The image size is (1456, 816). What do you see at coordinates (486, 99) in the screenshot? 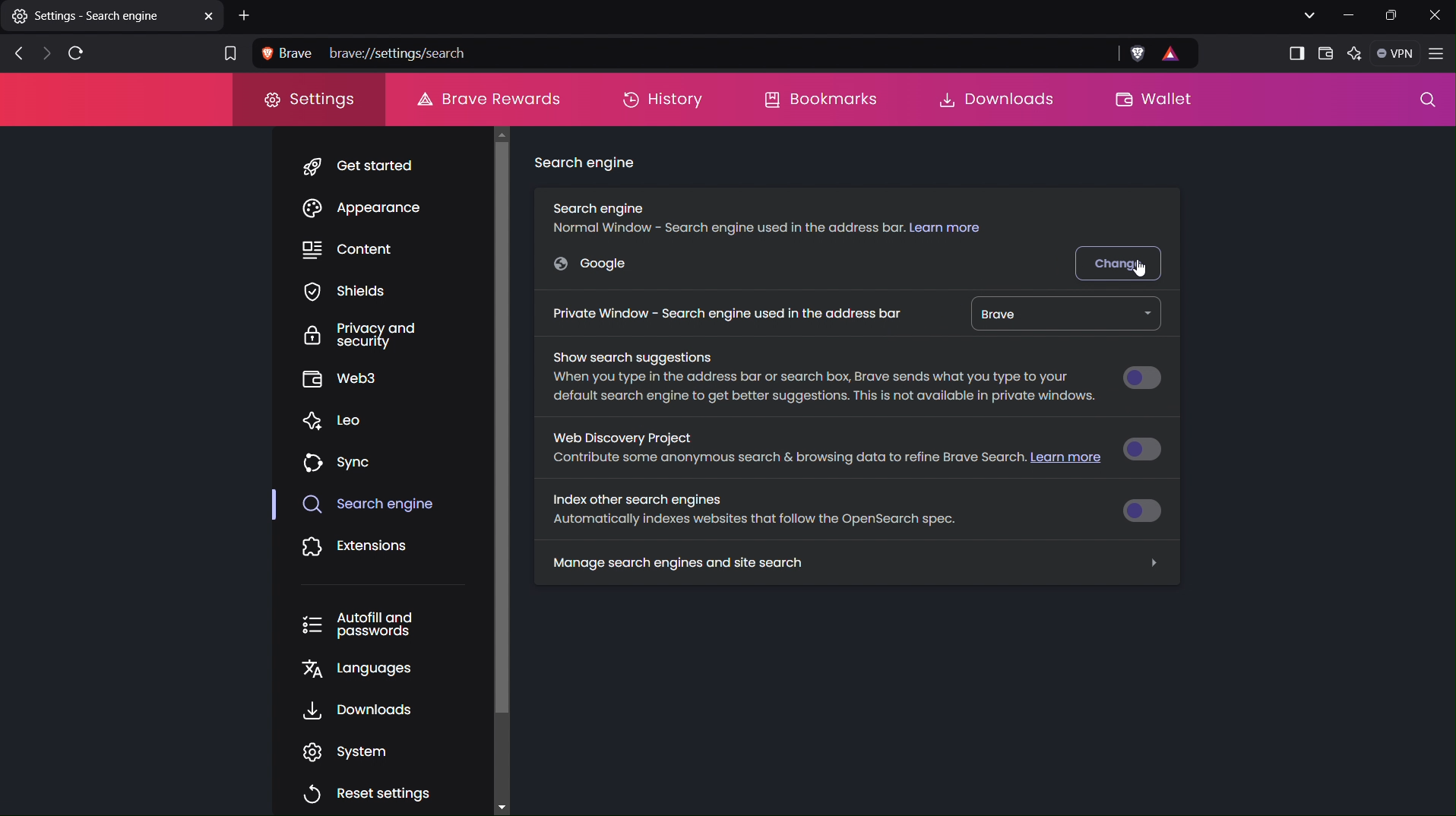
I see `Brave Rewards` at bounding box center [486, 99].